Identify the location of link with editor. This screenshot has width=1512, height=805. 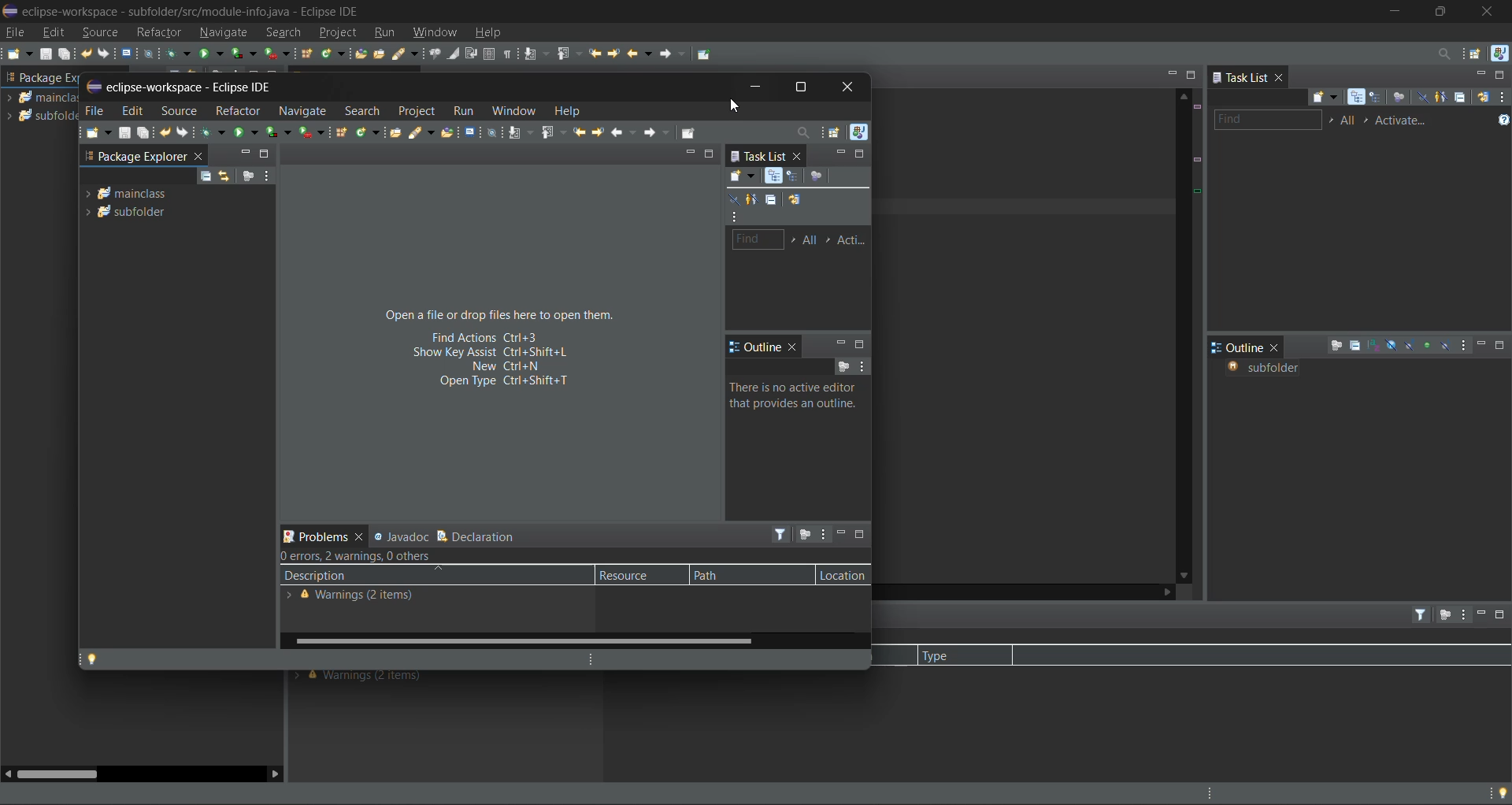
(224, 176).